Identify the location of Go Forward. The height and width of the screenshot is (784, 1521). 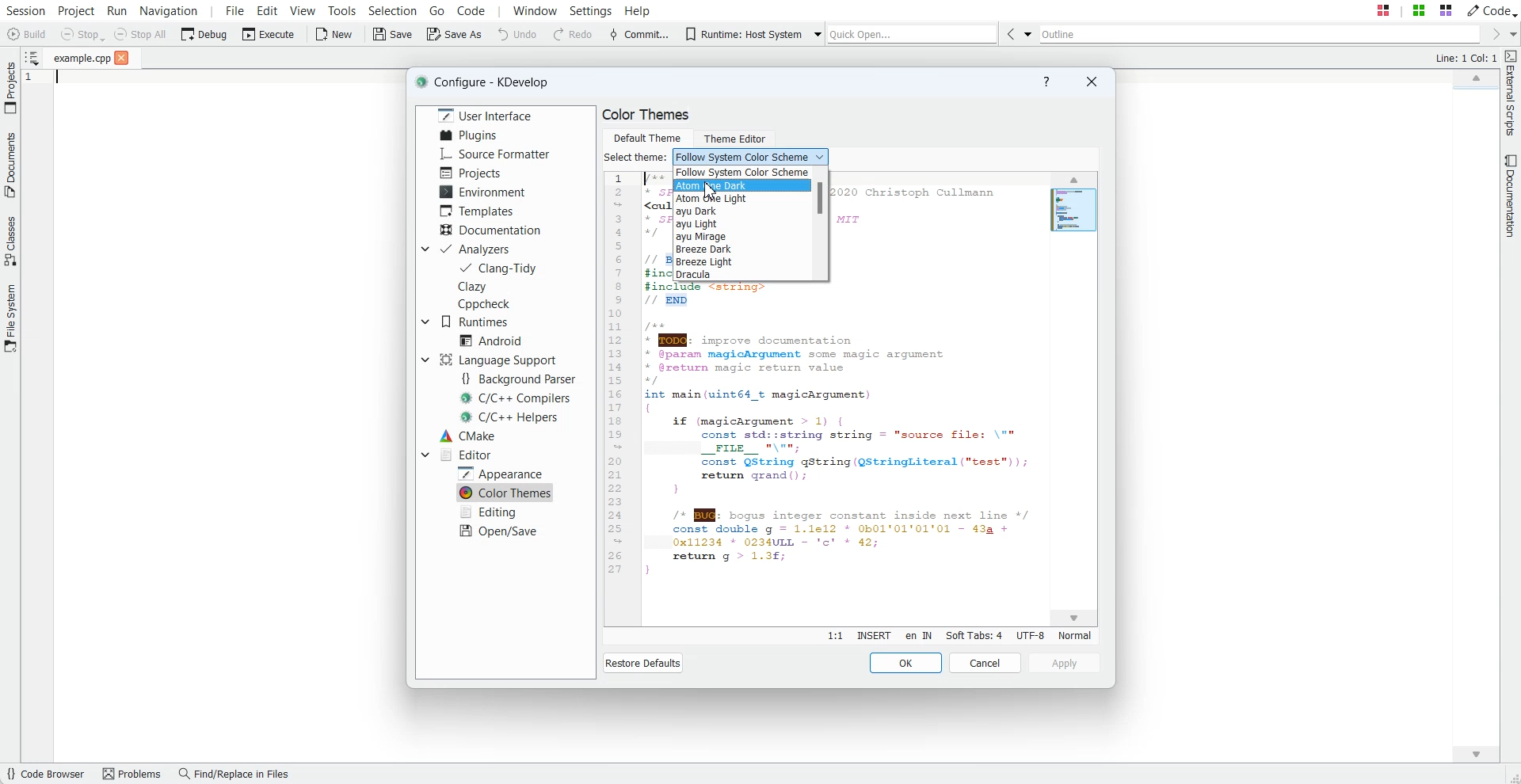
(1492, 35).